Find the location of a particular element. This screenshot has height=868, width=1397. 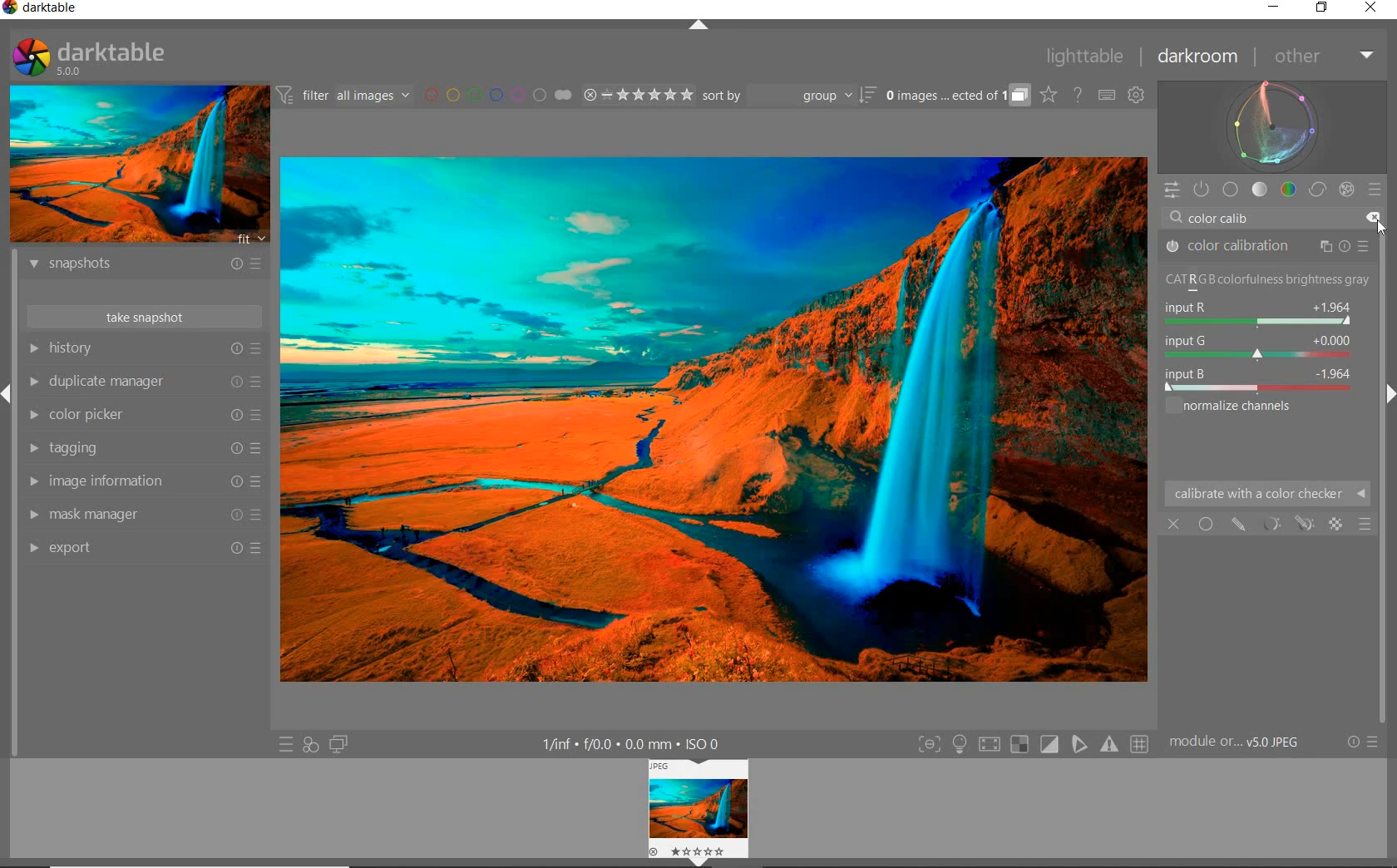

SHOW GLOBAL PREFERENCES is located at coordinates (1136, 95).